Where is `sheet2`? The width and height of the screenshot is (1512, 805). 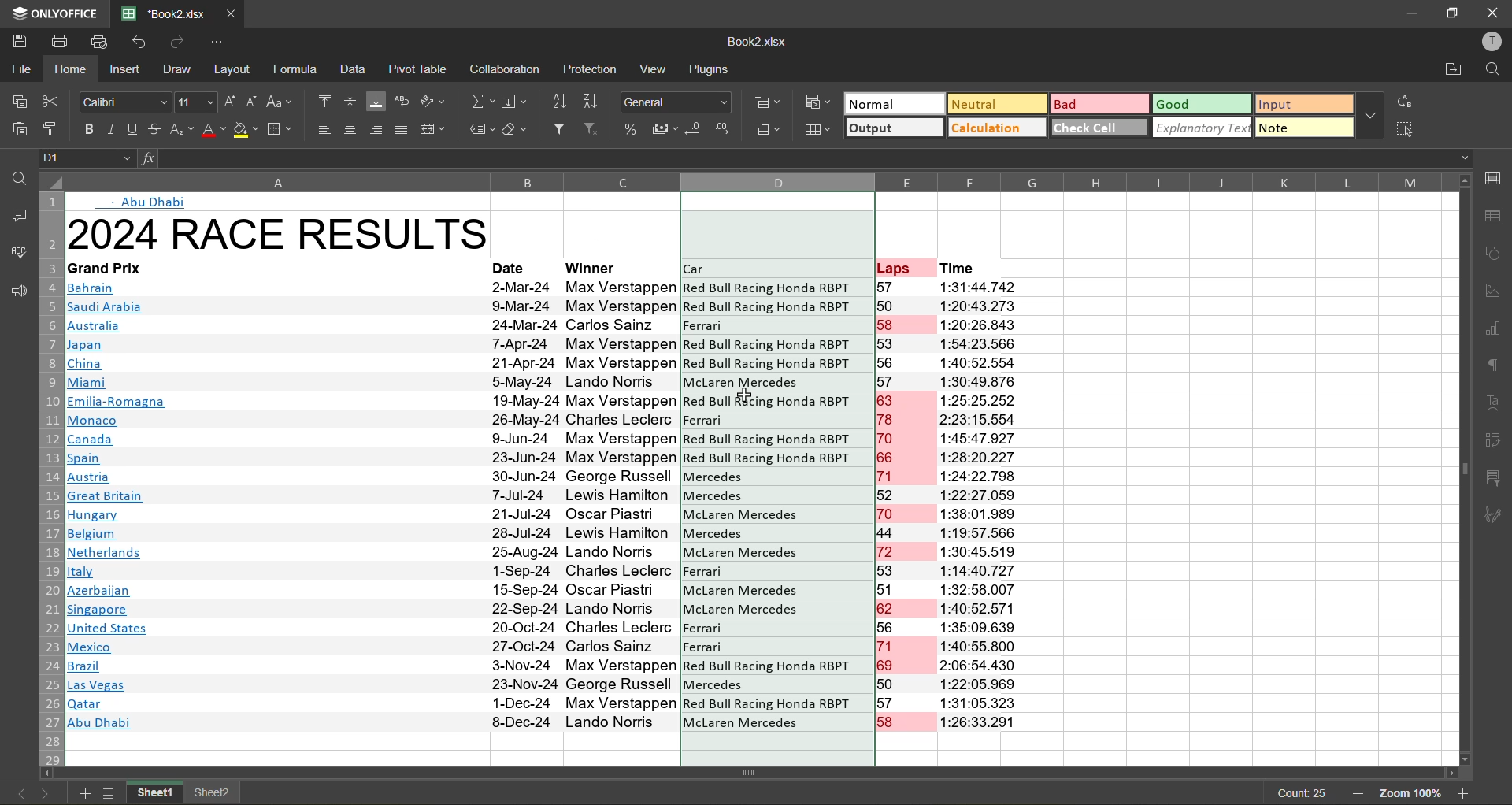
sheet2 is located at coordinates (213, 794).